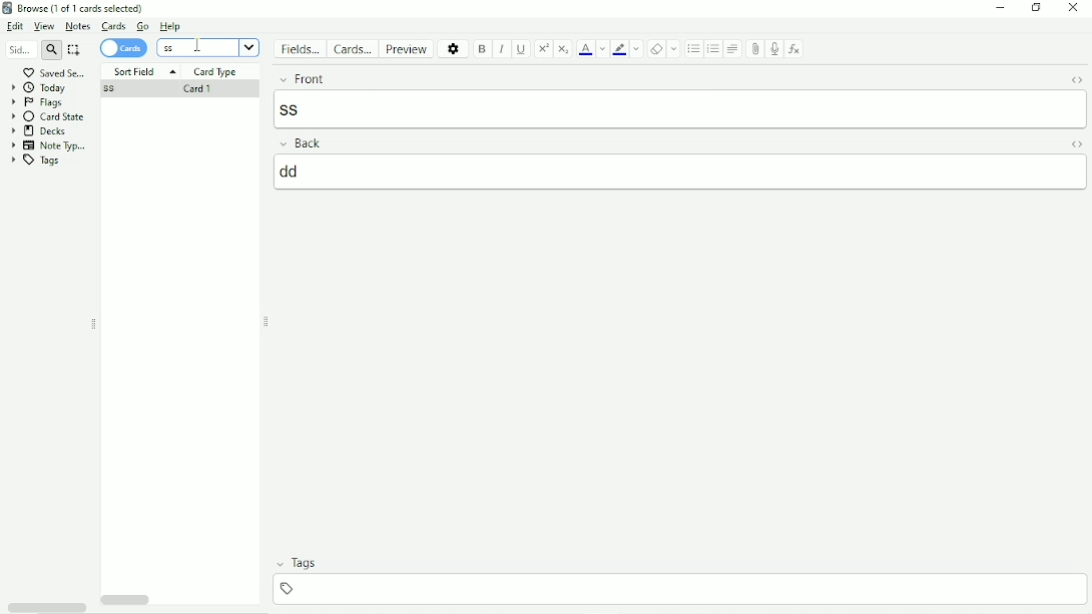  Describe the element at coordinates (501, 49) in the screenshot. I see `Italic` at that location.